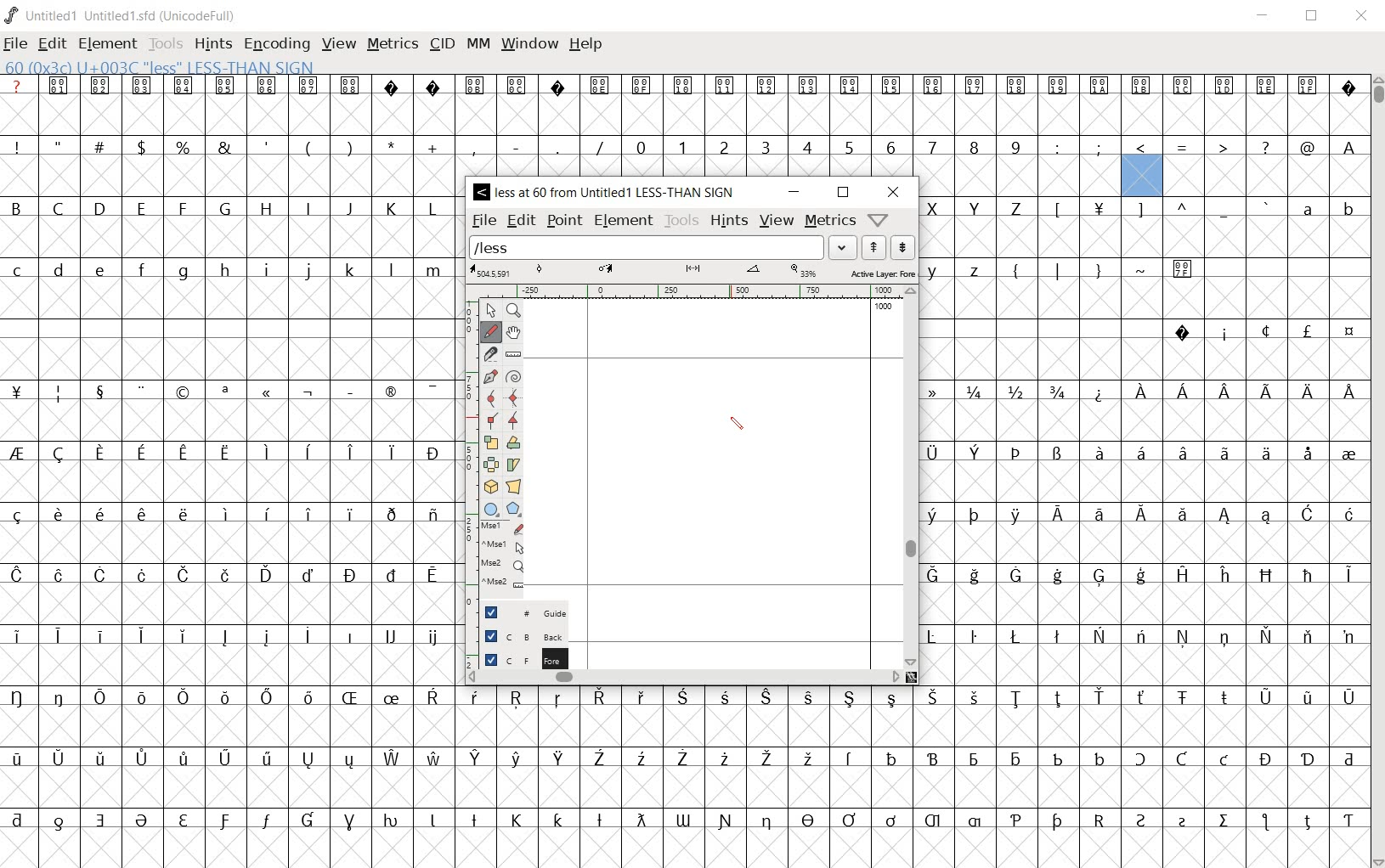 The height and width of the screenshot is (868, 1385). What do you see at coordinates (882, 307) in the screenshot?
I see `1000` at bounding box center [882, 307].